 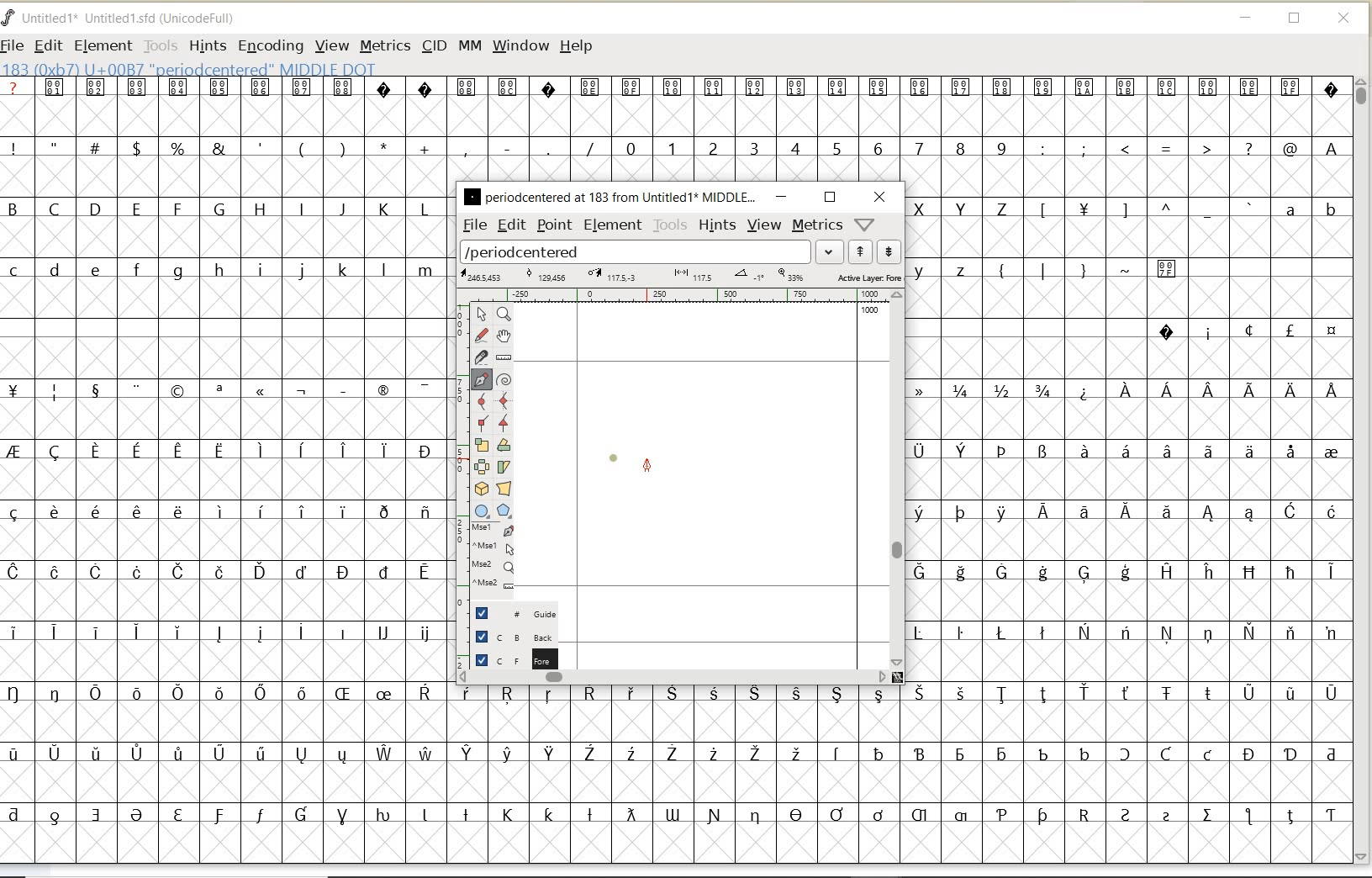 What do you see at coordinates (482, 378) in the screenshot?
I see `add a point, then drag out its control points` at bounding box center [482, 378].